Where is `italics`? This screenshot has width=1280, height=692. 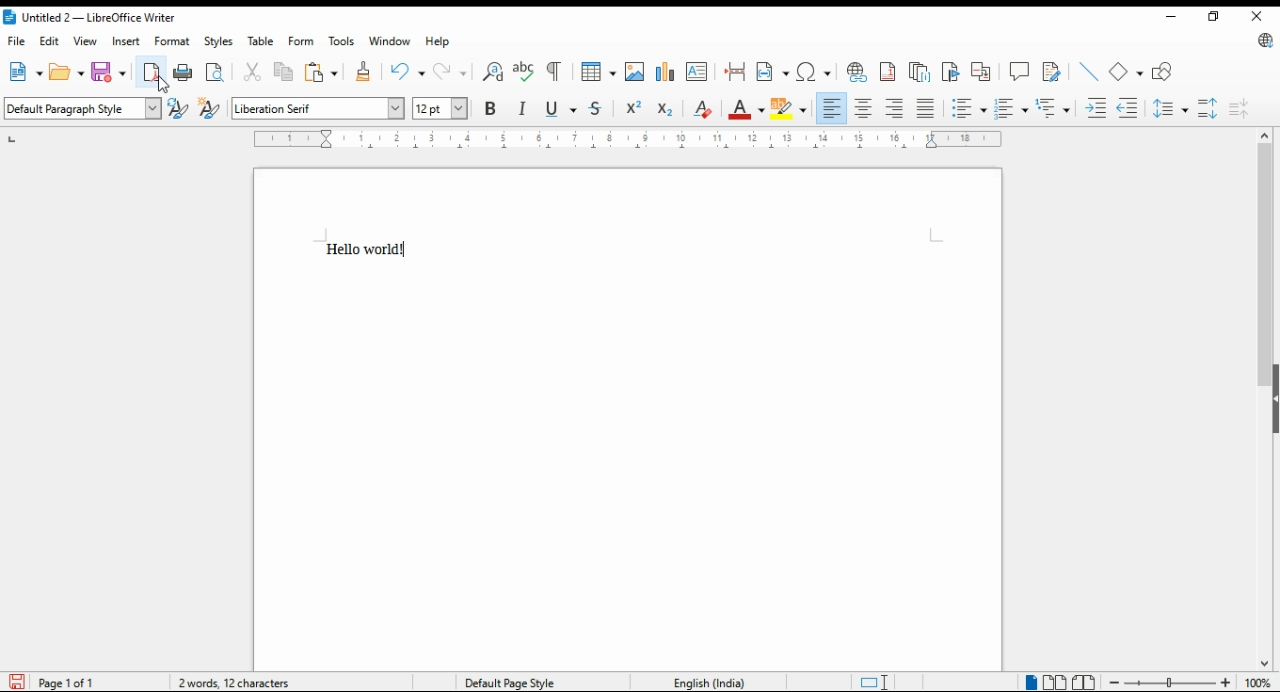
italics is located at coordinates (524, 109).